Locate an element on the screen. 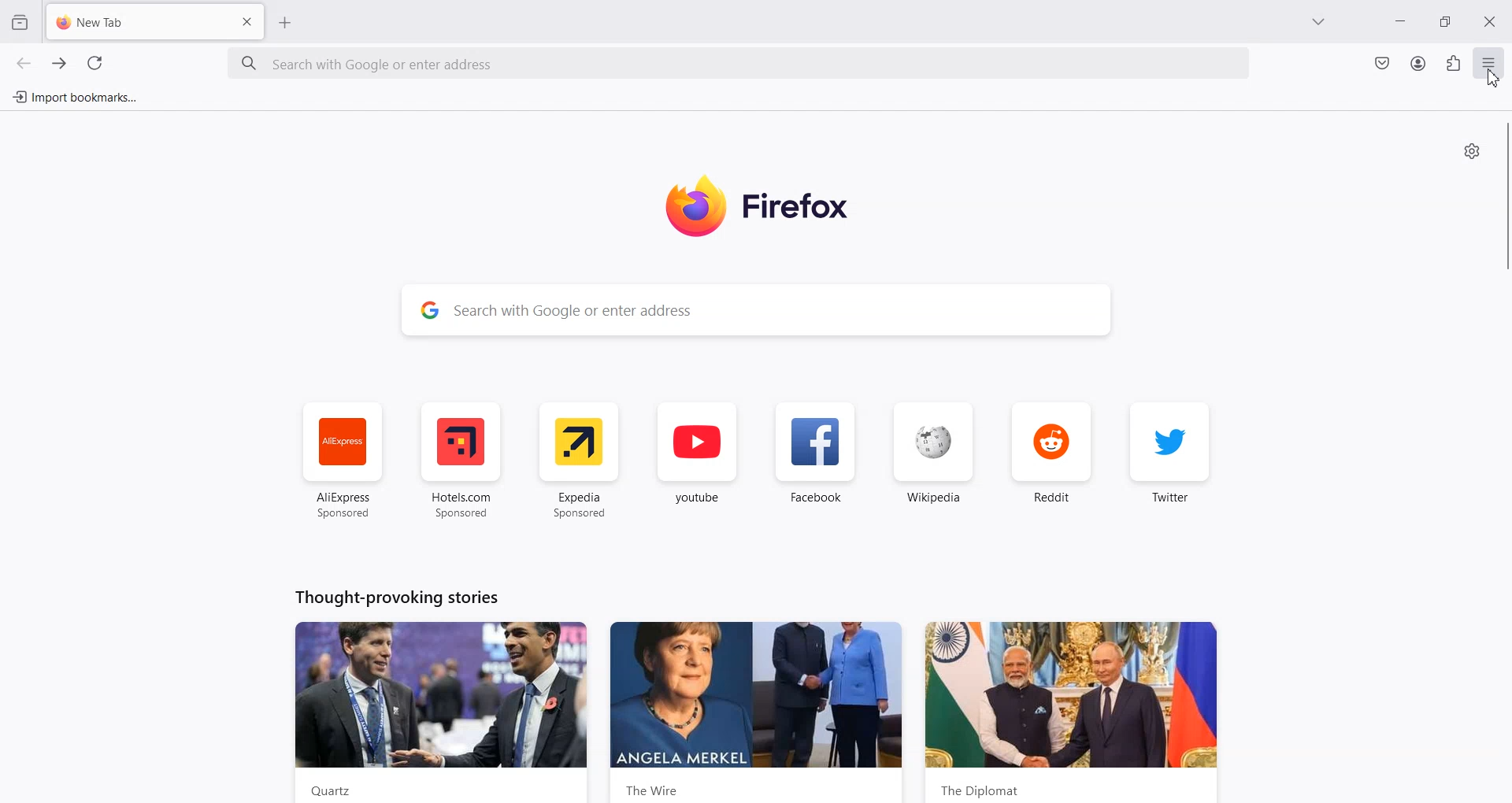  Text is located at coordinates (391, 597).